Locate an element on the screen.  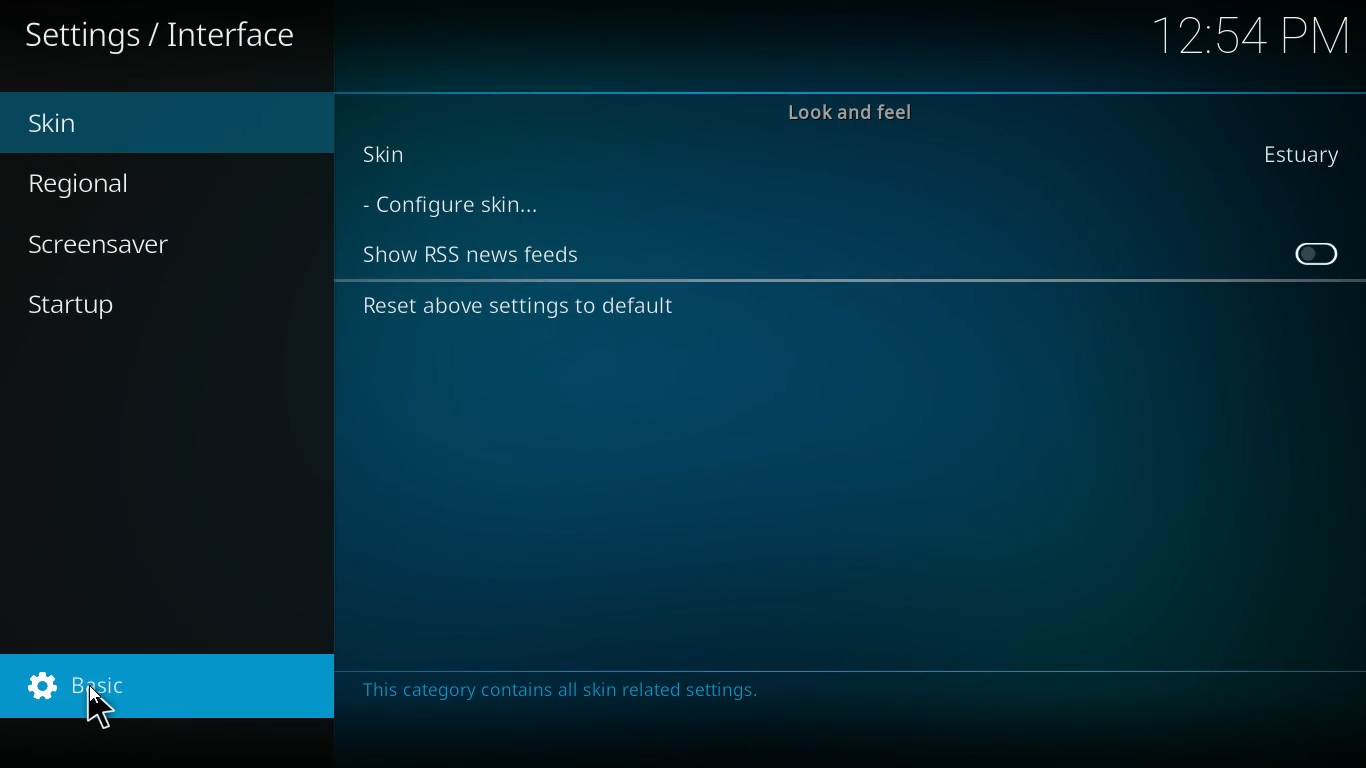
startup is located at coordinates (106, 310).